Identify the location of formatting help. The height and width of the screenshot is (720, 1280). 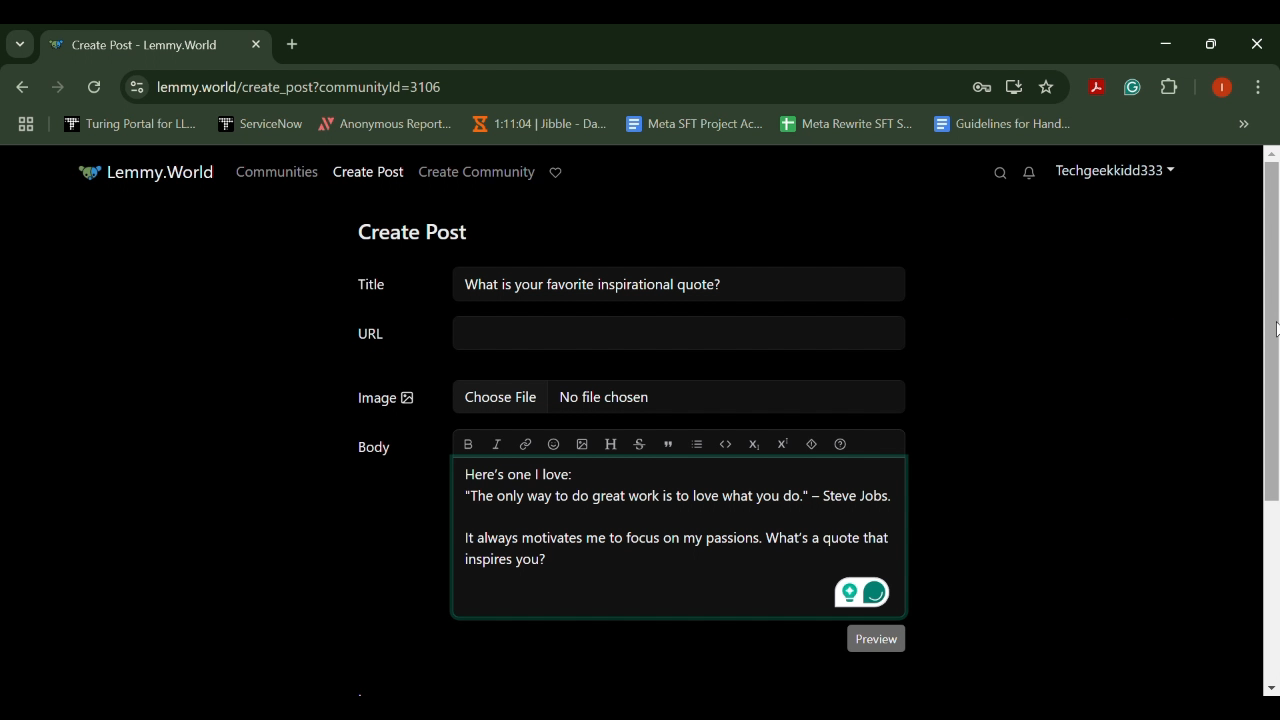
(839, 442).